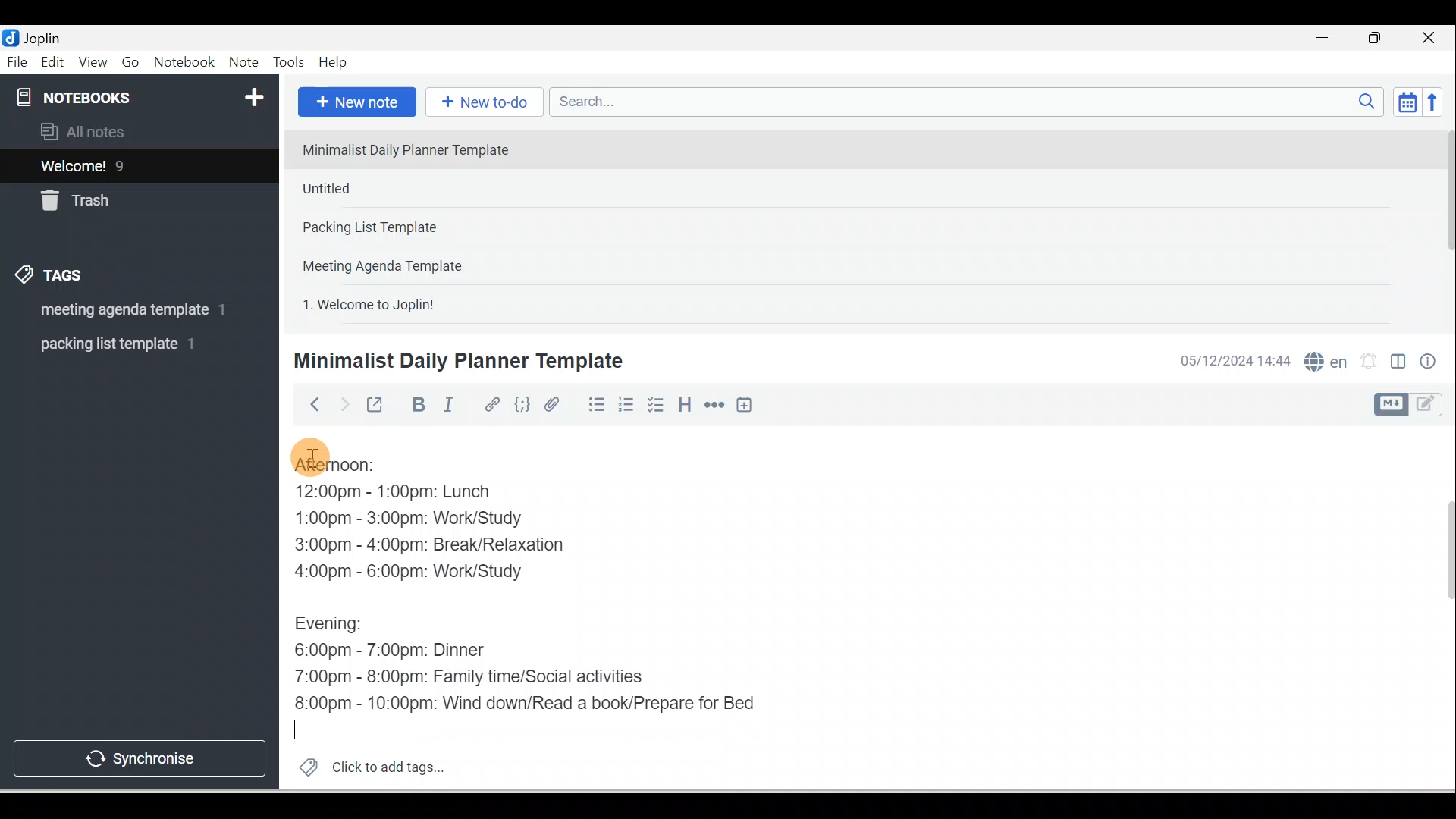 The image size is (1456, 819). What do you see at coordinates (626, 404) in the screenshot?
I see `Numbered list` at bounding box center [626, 404].